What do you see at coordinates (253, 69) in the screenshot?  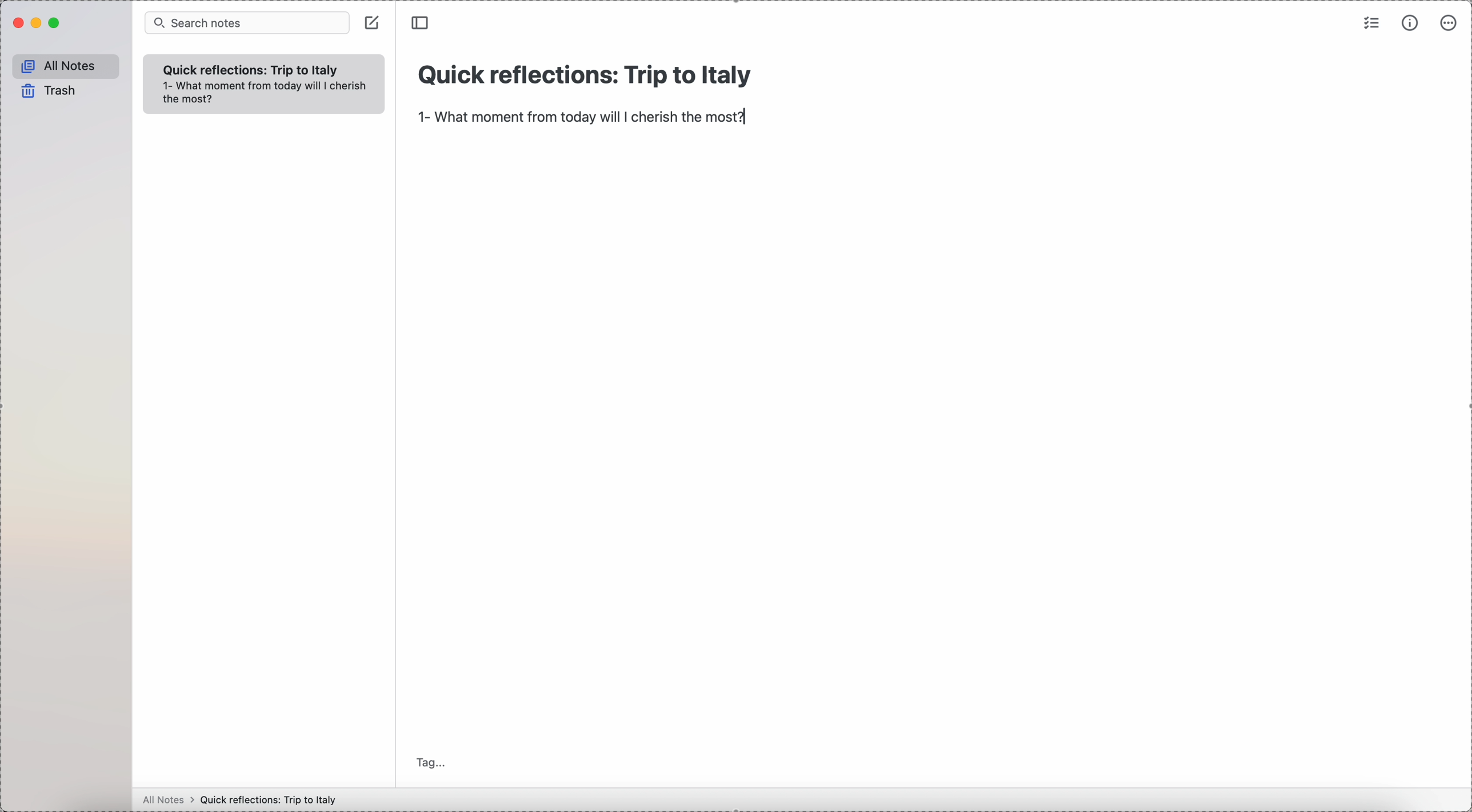 I see `quick refelection trip to italy` at bounding box center [253, 69].